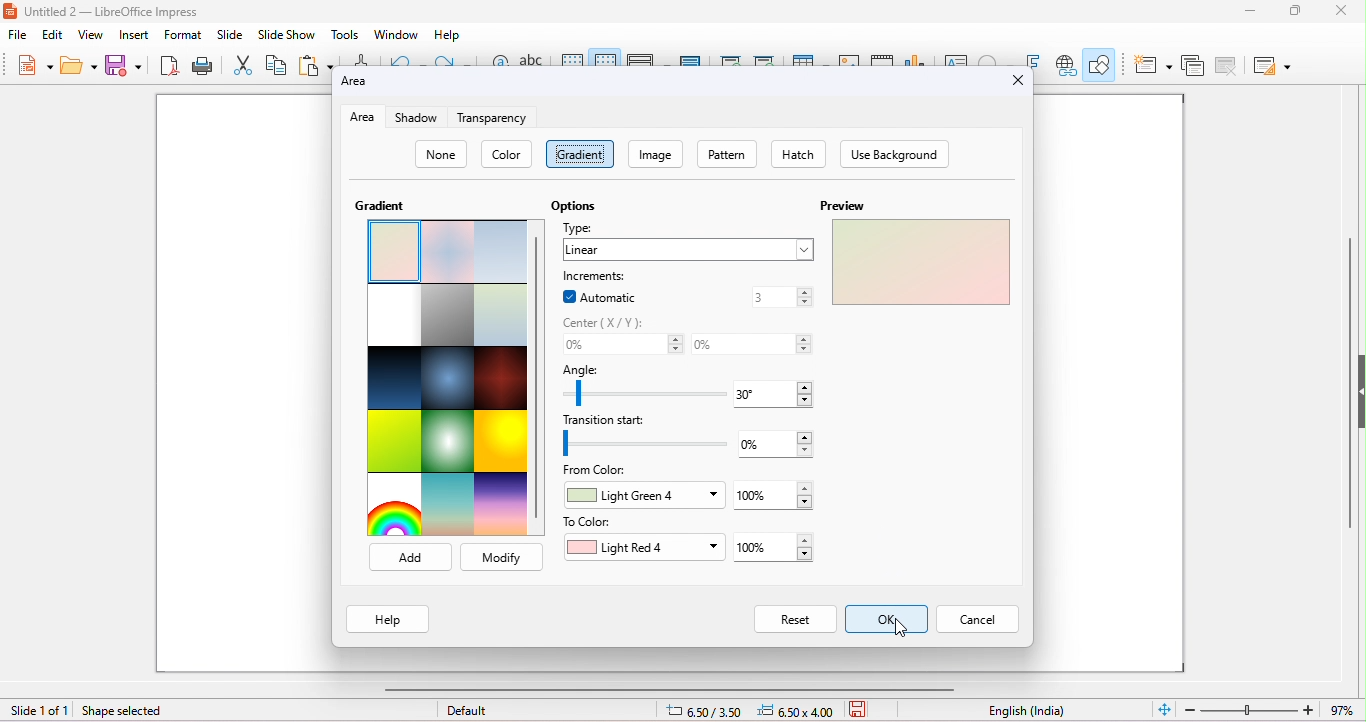 The image size is (1366, 722). What do you see at coordinates (1027, 711) in the screenshot?
I see `English (India)` at bounding box center [1027, 711].